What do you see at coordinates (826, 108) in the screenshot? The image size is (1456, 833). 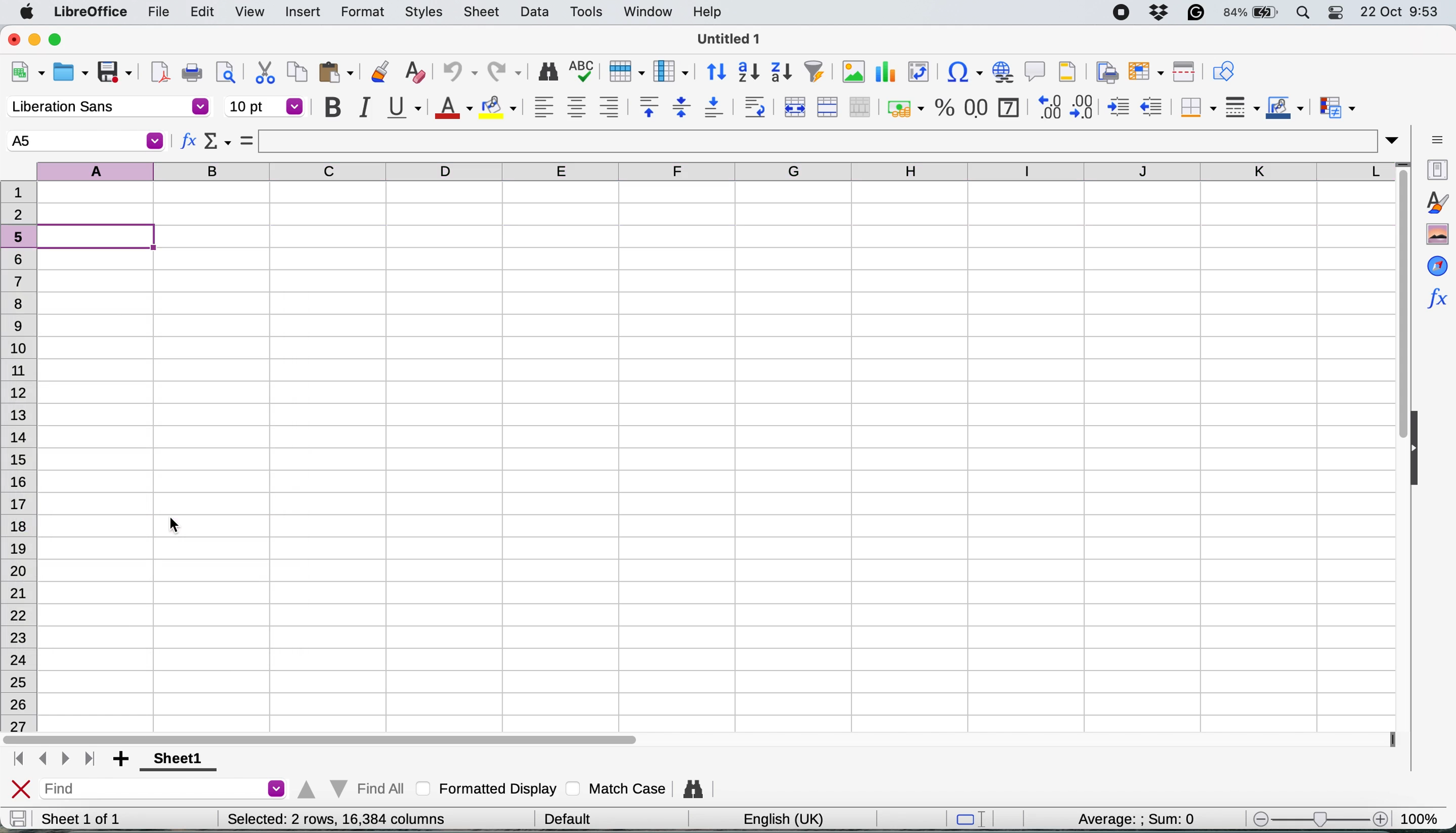 I see `merge` at bounding box center [826, 108].